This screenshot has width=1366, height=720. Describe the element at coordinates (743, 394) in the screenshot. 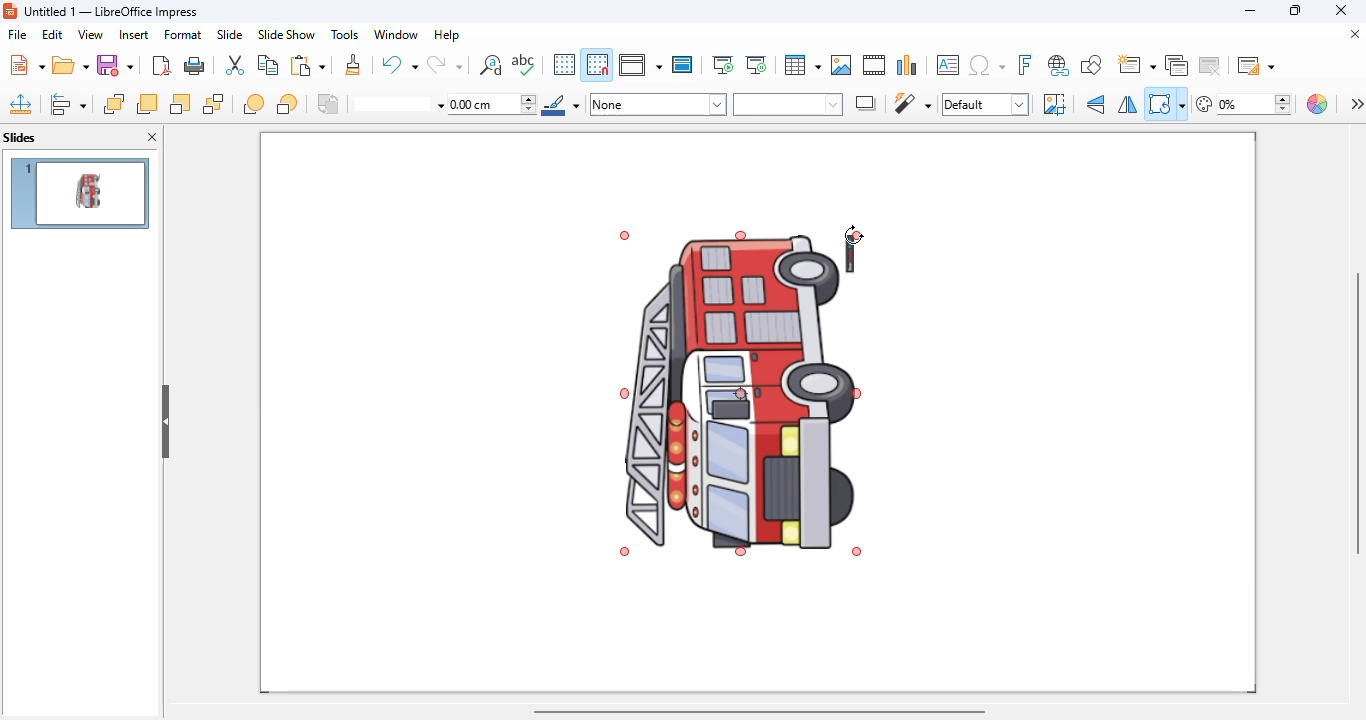

I see `image` at that location.